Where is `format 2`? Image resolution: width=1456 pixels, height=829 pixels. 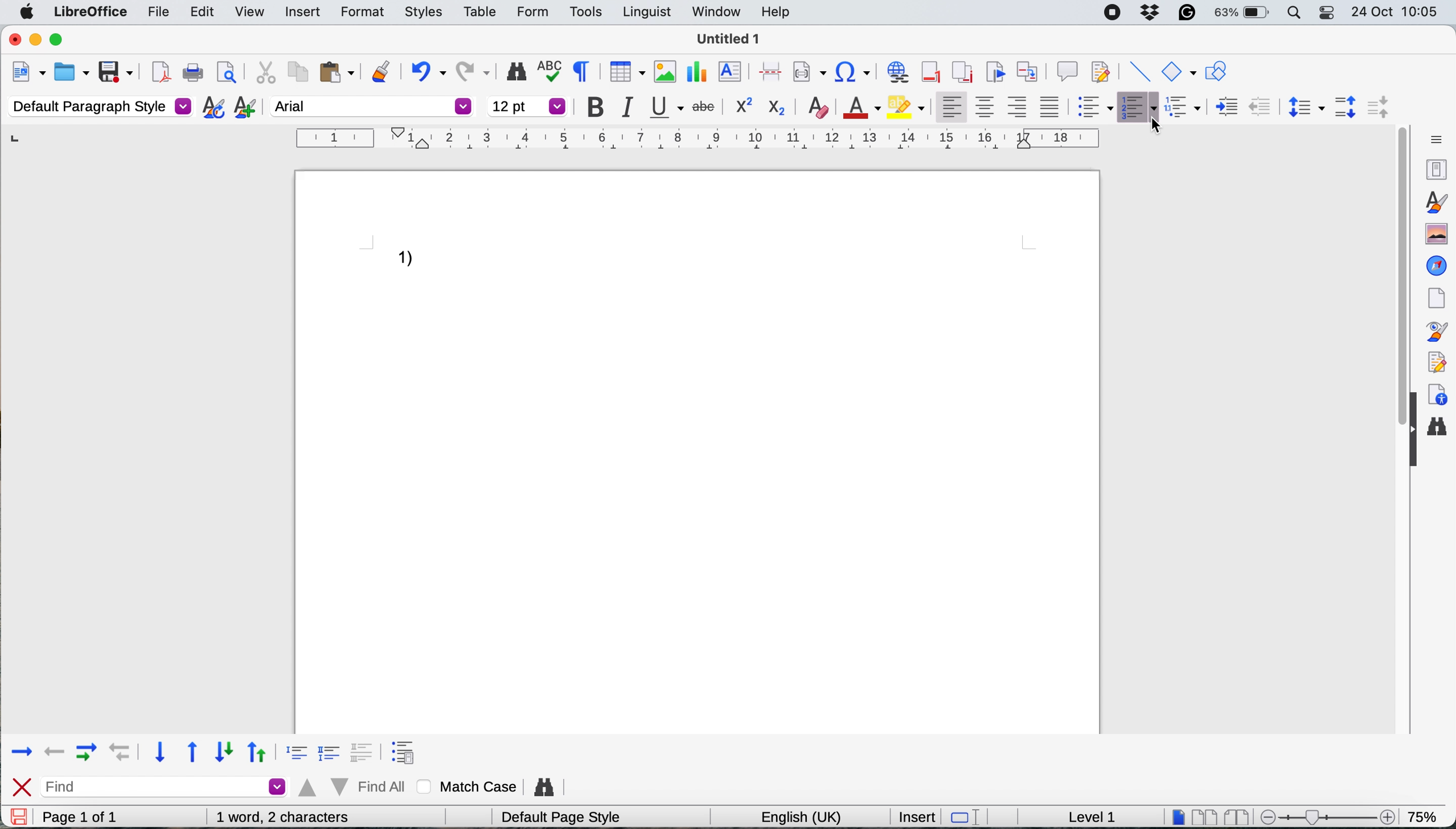
format 2 is located at coordinates (331, 750).